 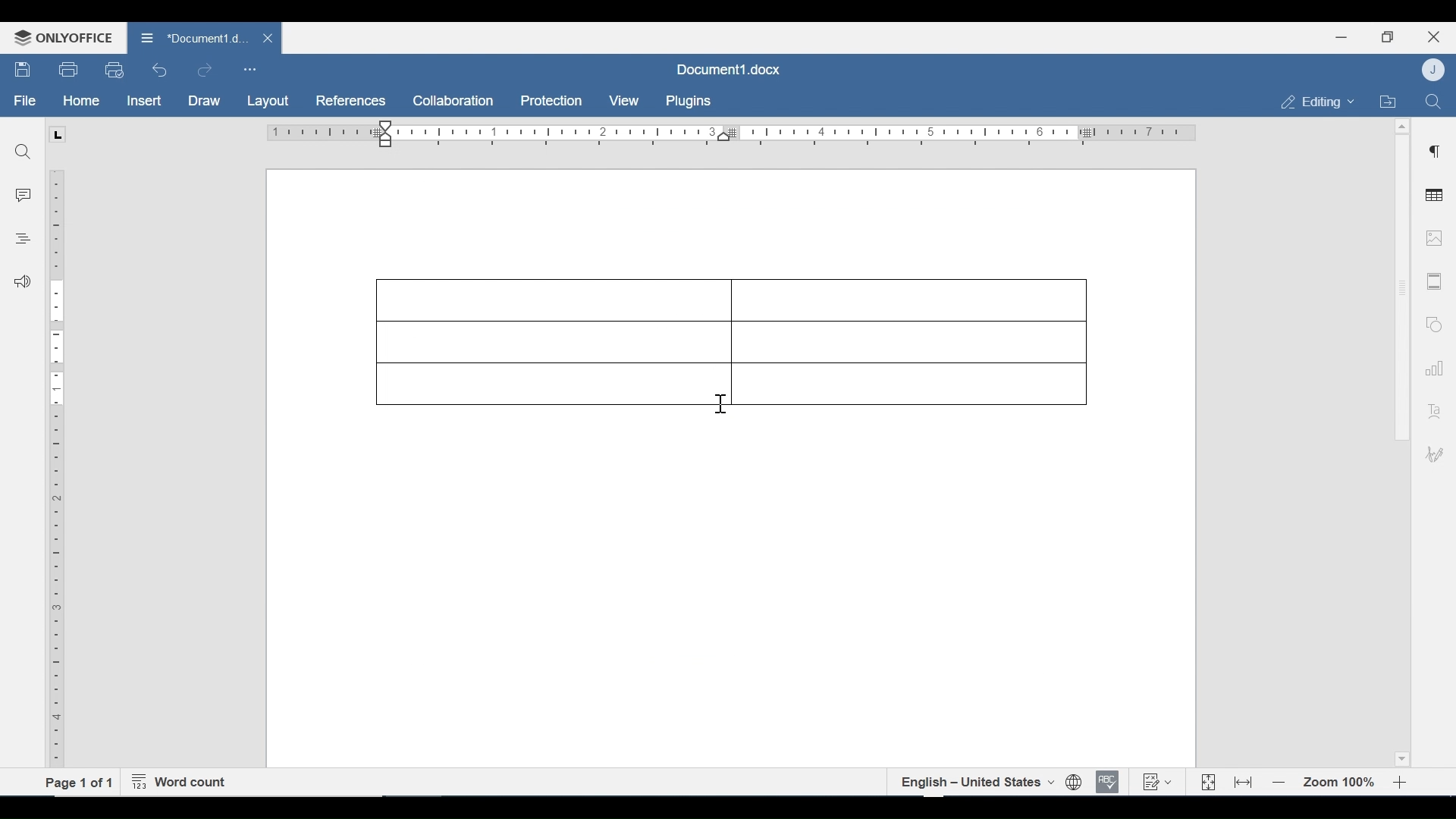 I want to click on Zoom 100%, so click(x=1340, y=783).